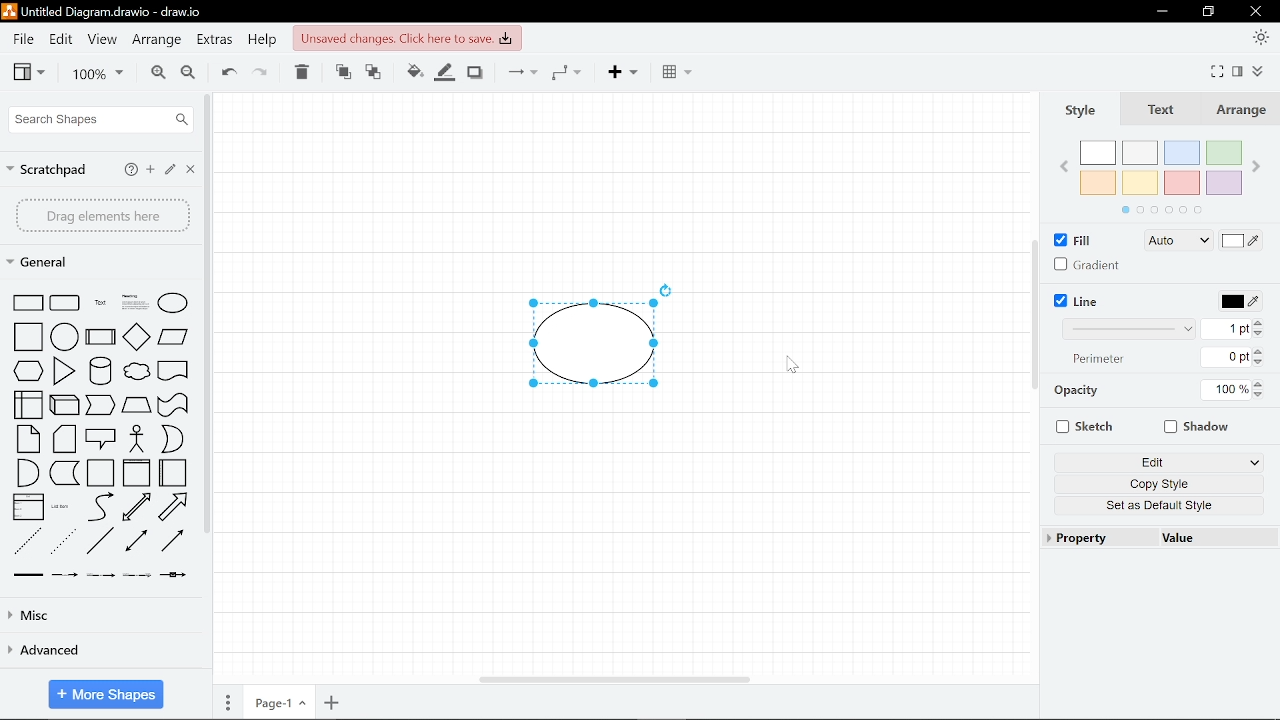 This screenshot has height=720, width=1280. I want to click on Arrange, so click(158, 40).